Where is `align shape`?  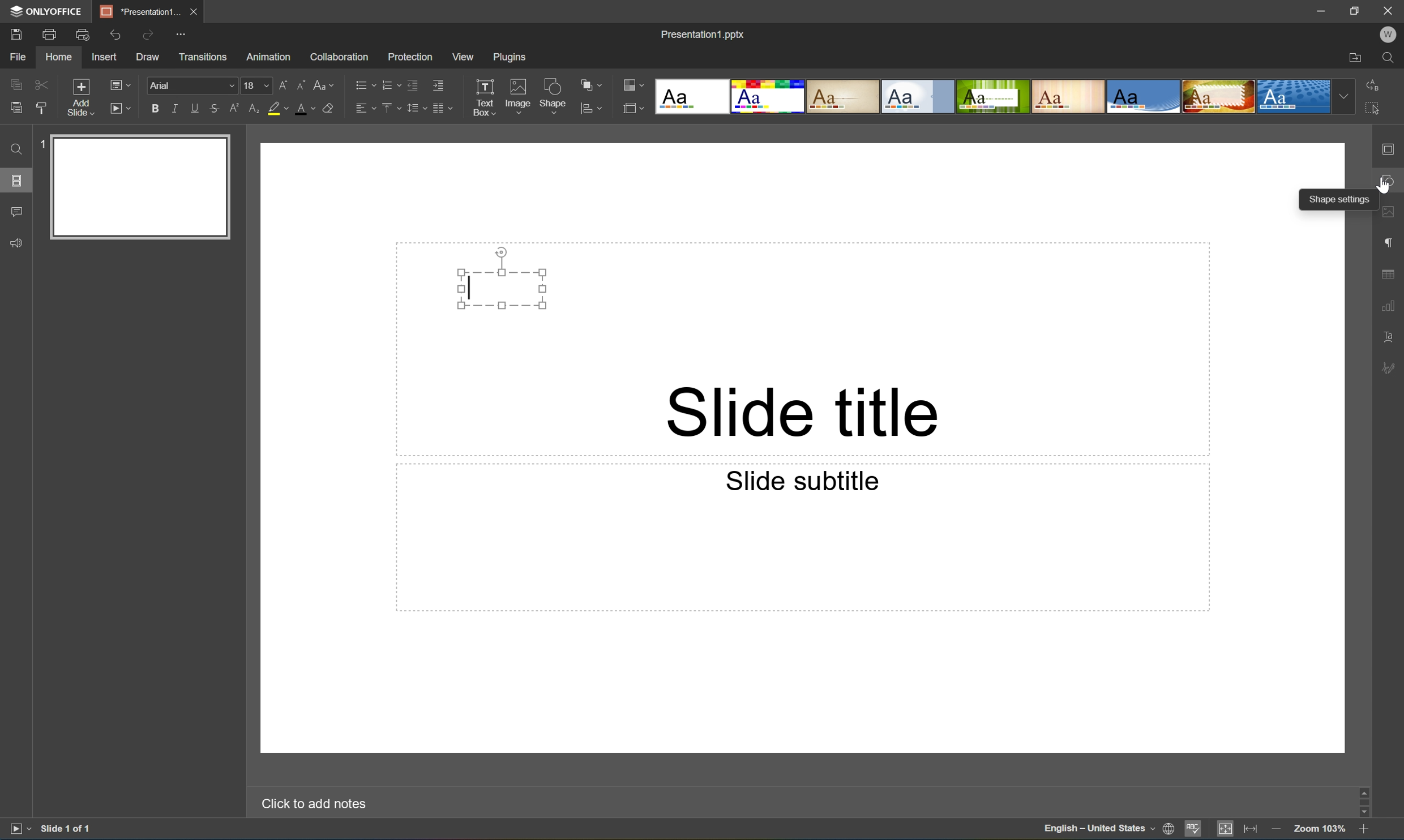
align shape is located at coordinates (593, 109).